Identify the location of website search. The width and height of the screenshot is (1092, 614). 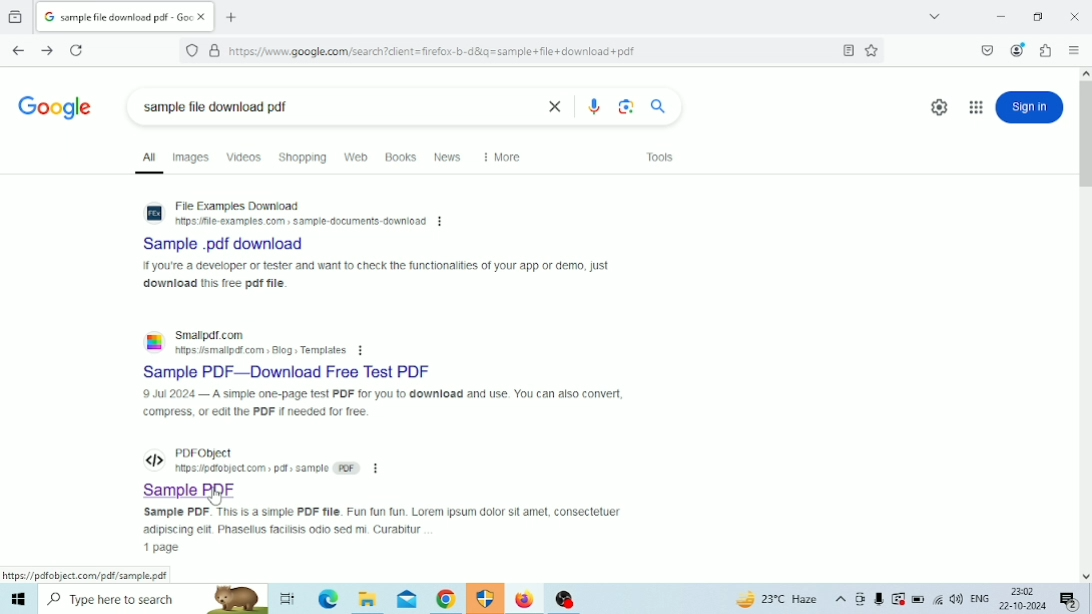
(237, 206).